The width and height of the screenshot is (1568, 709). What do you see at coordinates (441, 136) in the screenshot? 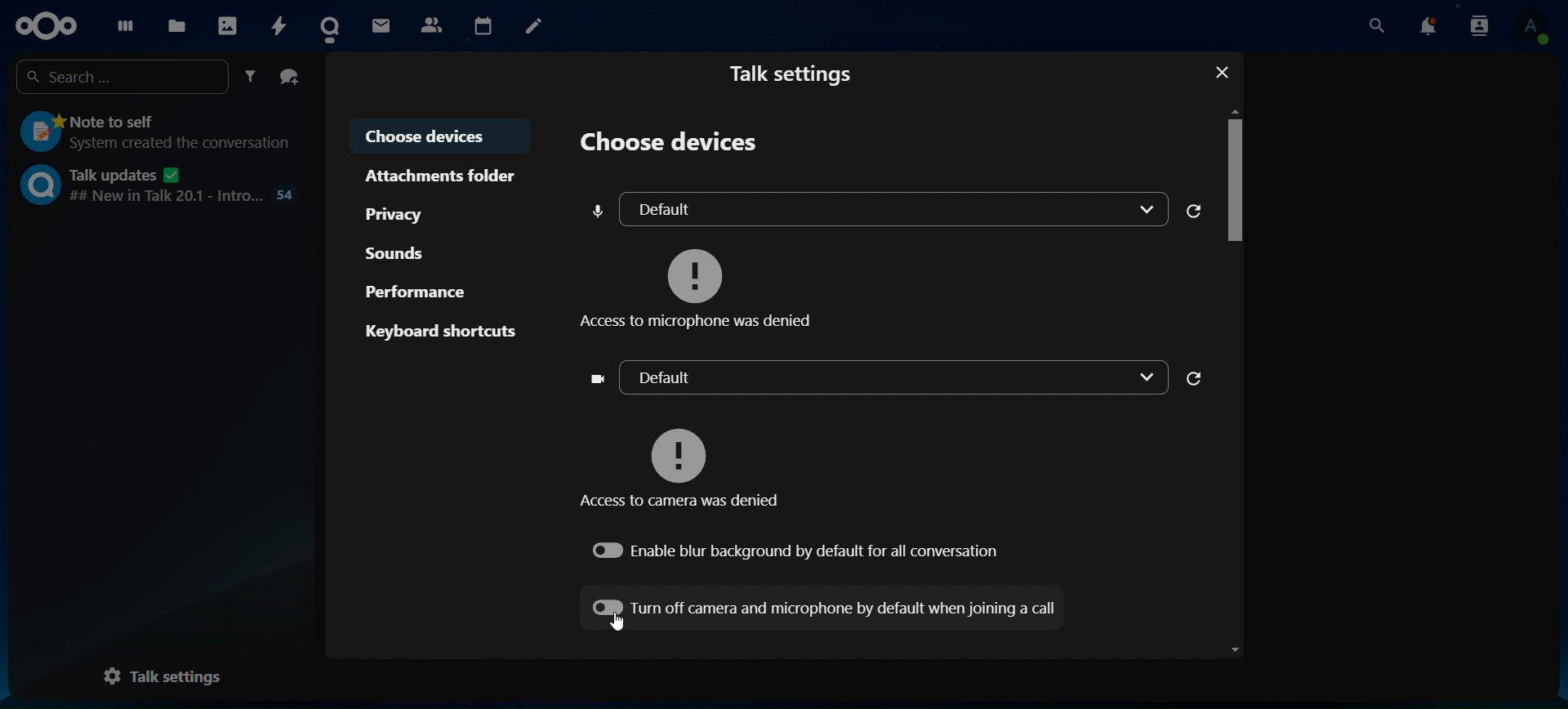
I see `choose devices` at bounding box center [441, 136].